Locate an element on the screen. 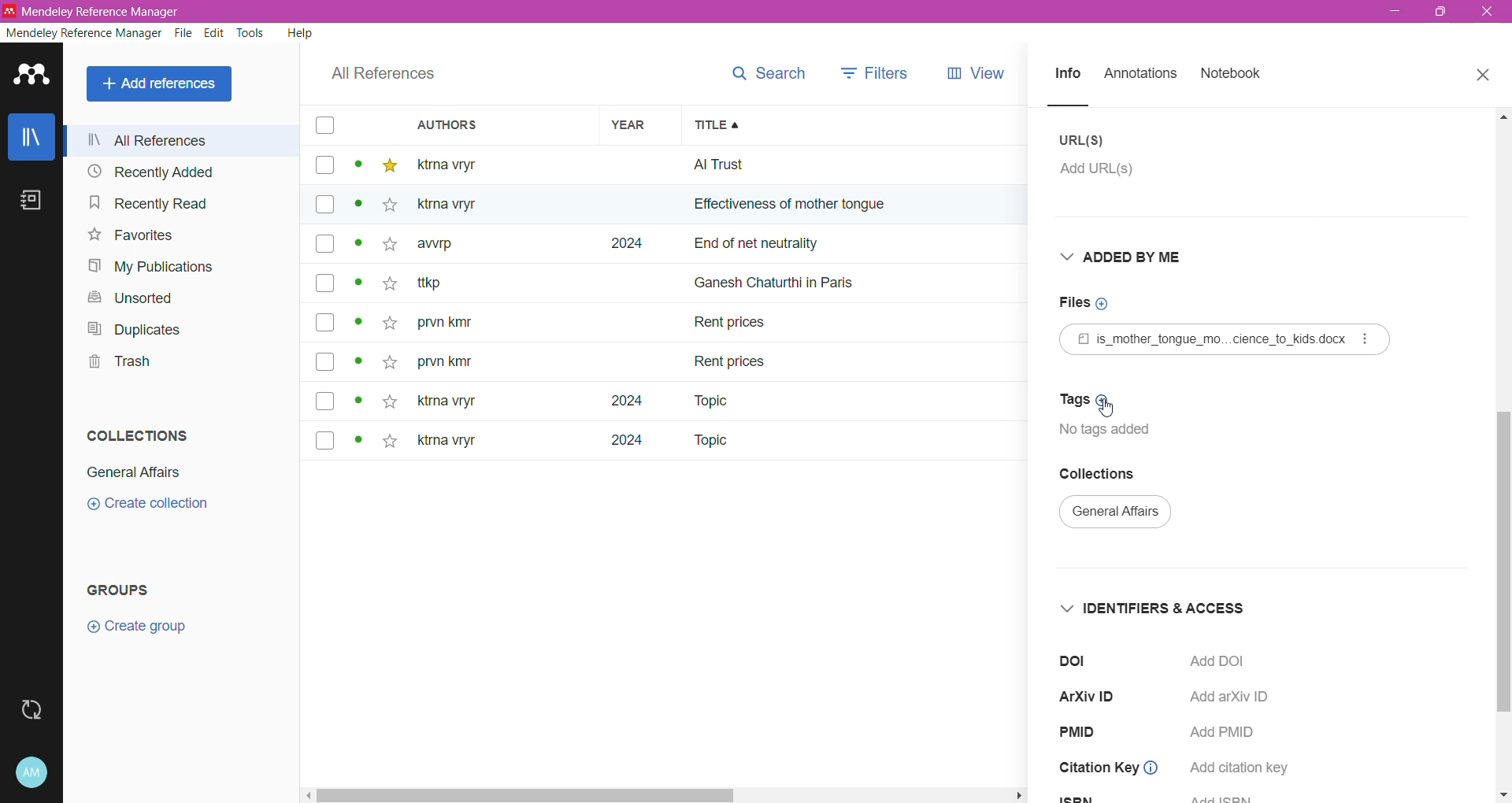  box is located at coordinates (324, 205).